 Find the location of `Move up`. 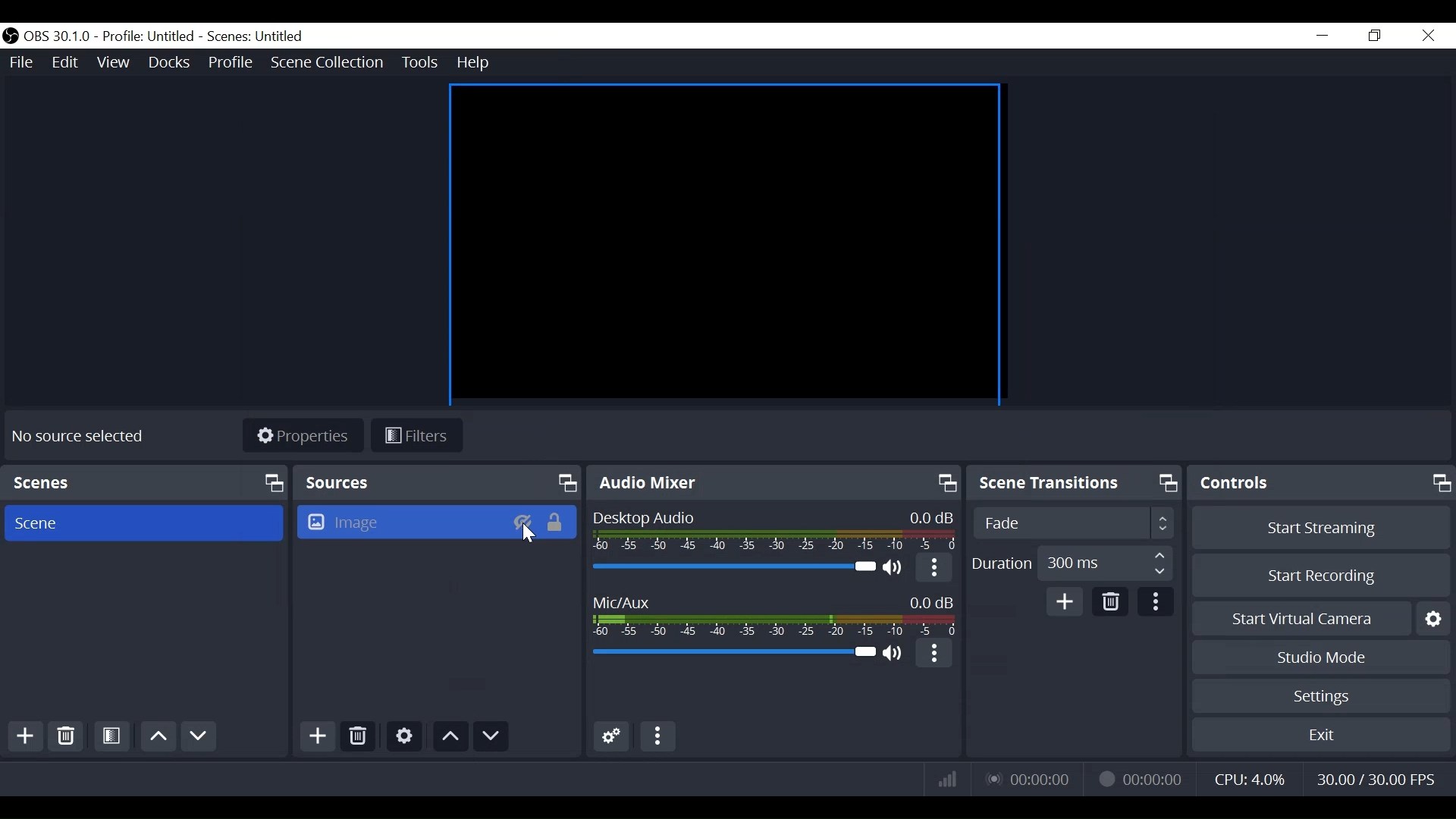

Move up is located at coordinates (451, 736).